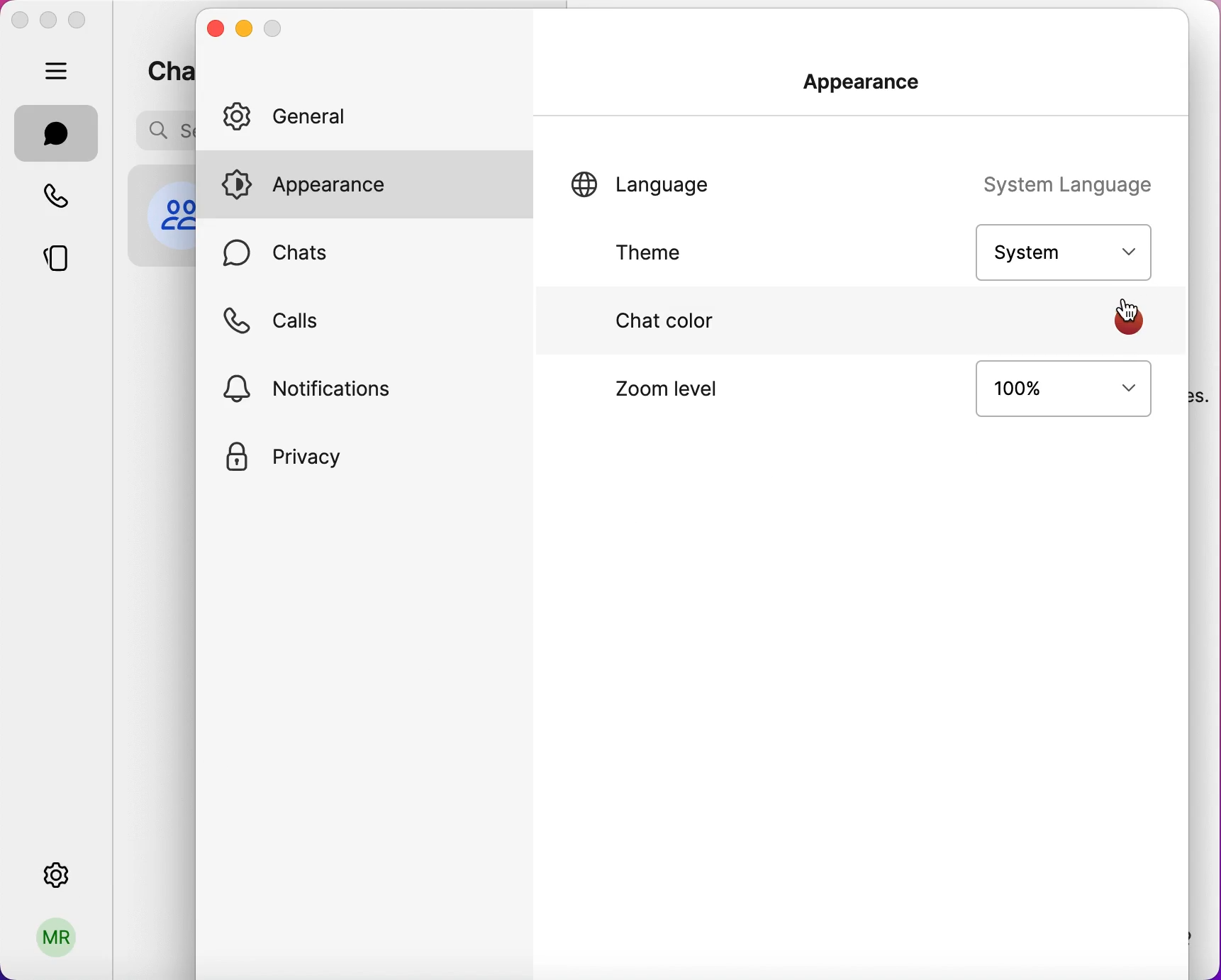  What do you see at coordinates (1061, 250) in the screenshot?
I see `system` at bounding box center [1061, 250].